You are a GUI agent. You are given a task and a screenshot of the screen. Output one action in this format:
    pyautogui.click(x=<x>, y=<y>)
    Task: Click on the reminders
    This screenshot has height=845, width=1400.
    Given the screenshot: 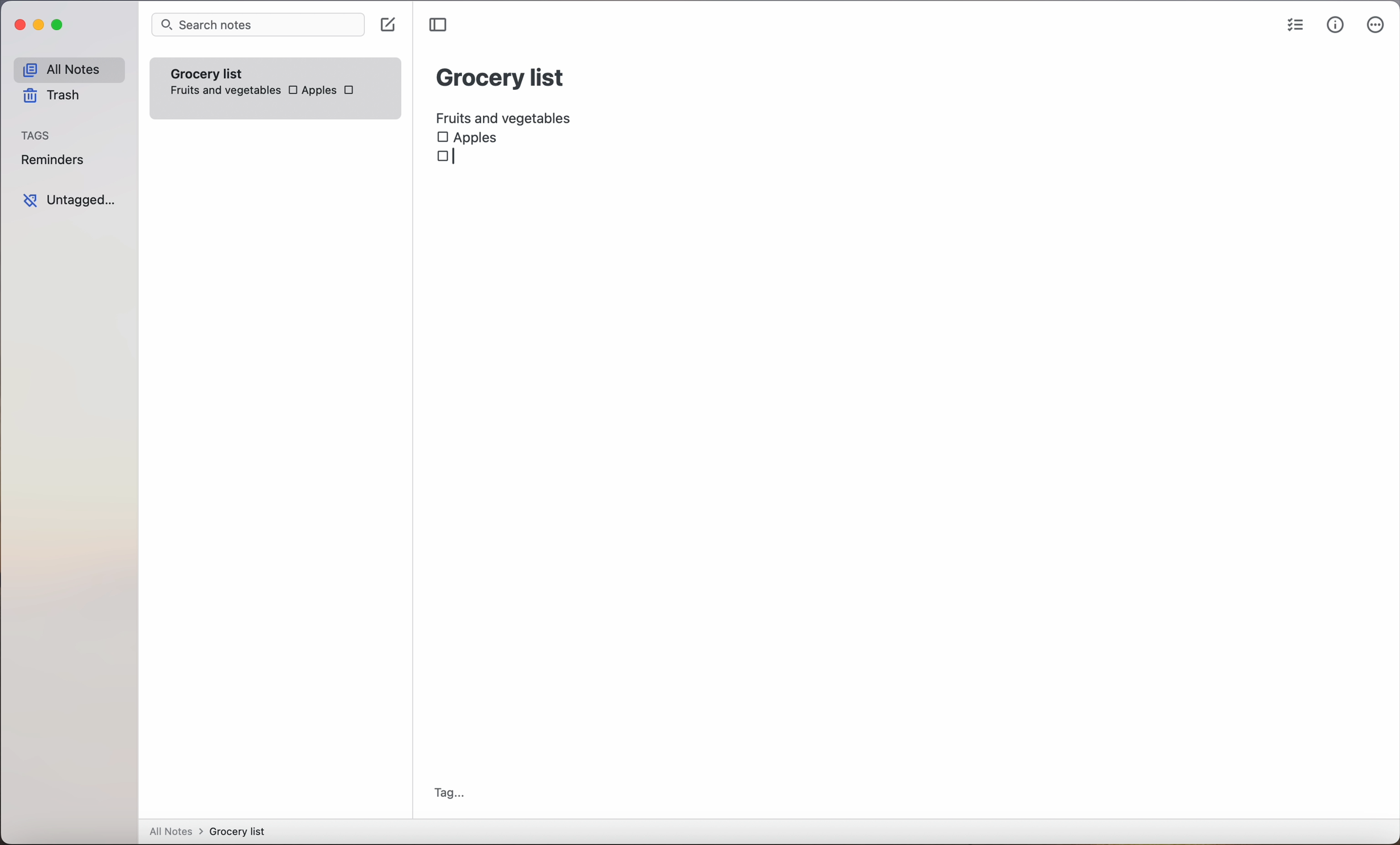 What is the action you would take?
    pyautogui.click(x=52, y=162)
    